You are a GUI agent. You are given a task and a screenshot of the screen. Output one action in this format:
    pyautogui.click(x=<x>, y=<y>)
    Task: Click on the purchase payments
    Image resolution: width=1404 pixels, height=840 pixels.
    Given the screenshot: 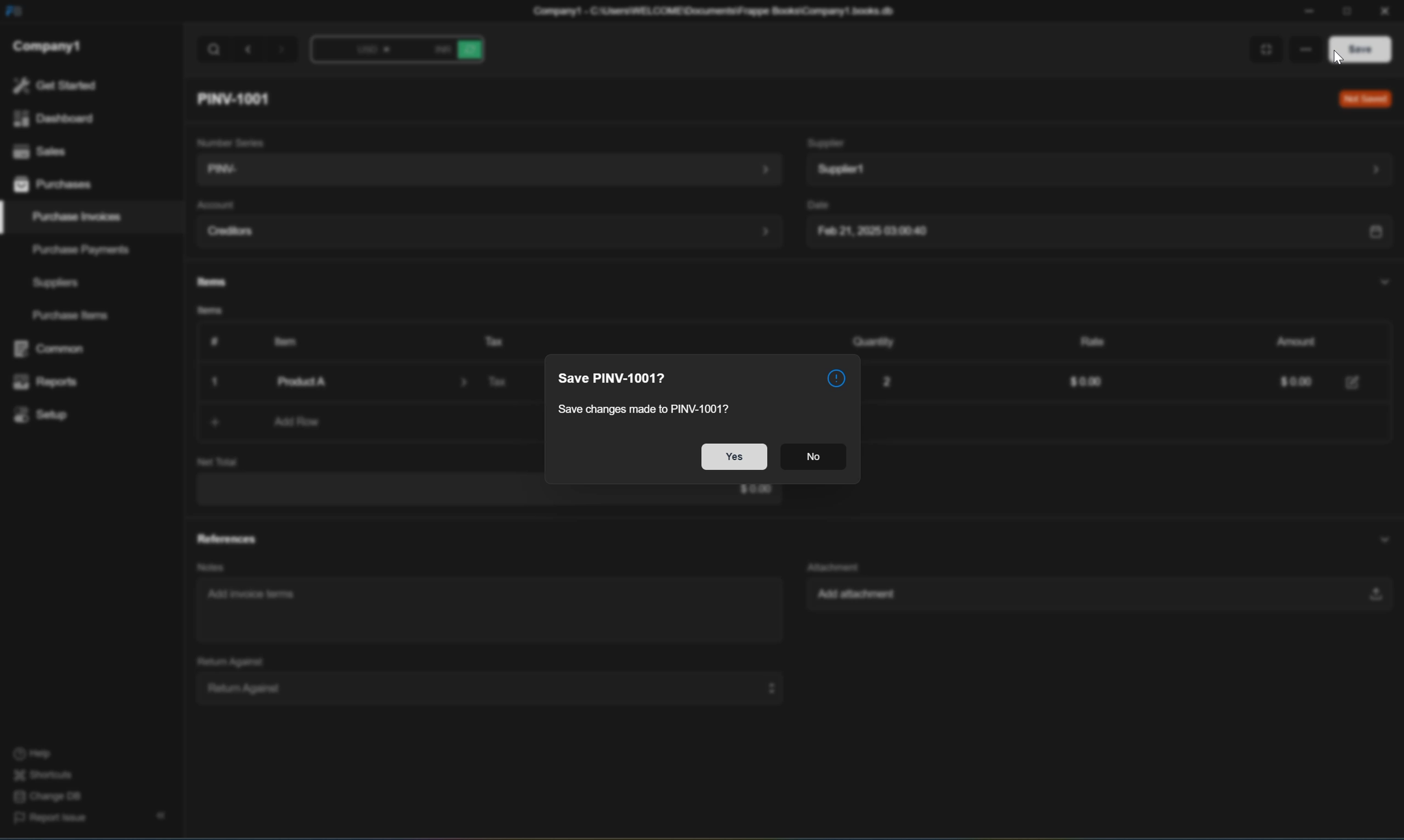 What is the action you would take?
    pyautogui.click(x=72, y=249)
    